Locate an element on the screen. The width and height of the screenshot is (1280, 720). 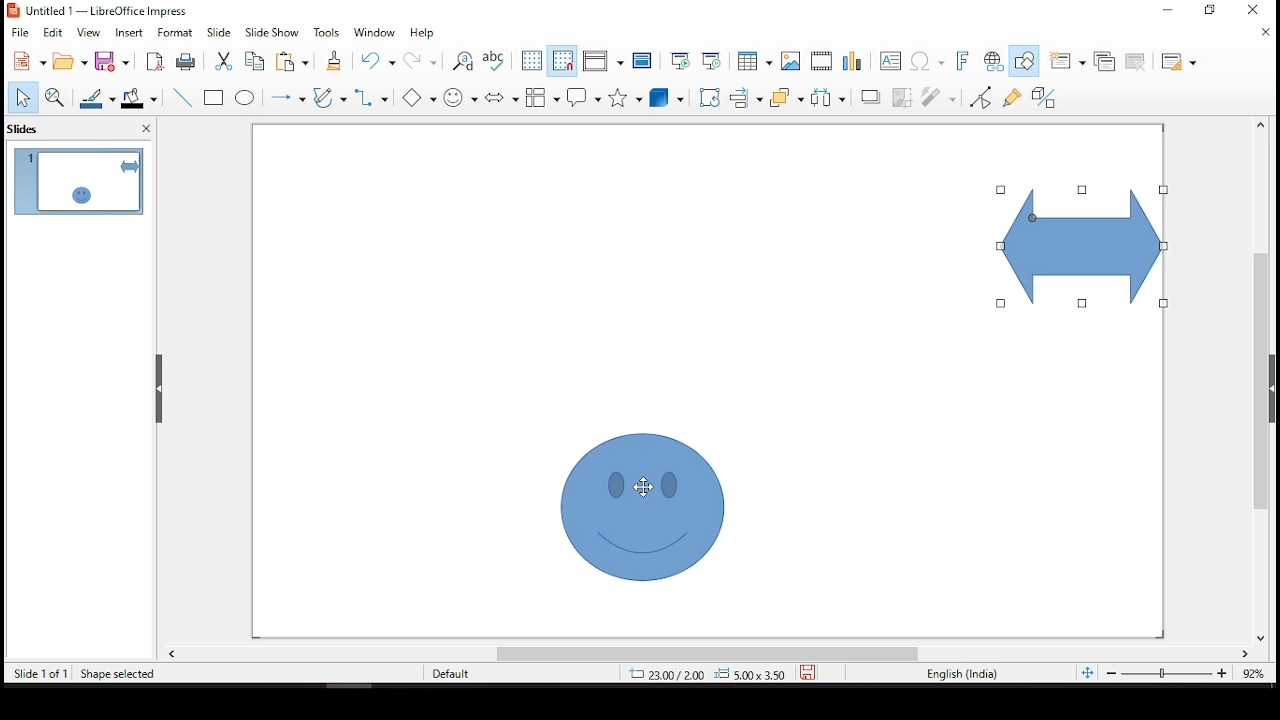
restore is located at coordinates (1167, 11).